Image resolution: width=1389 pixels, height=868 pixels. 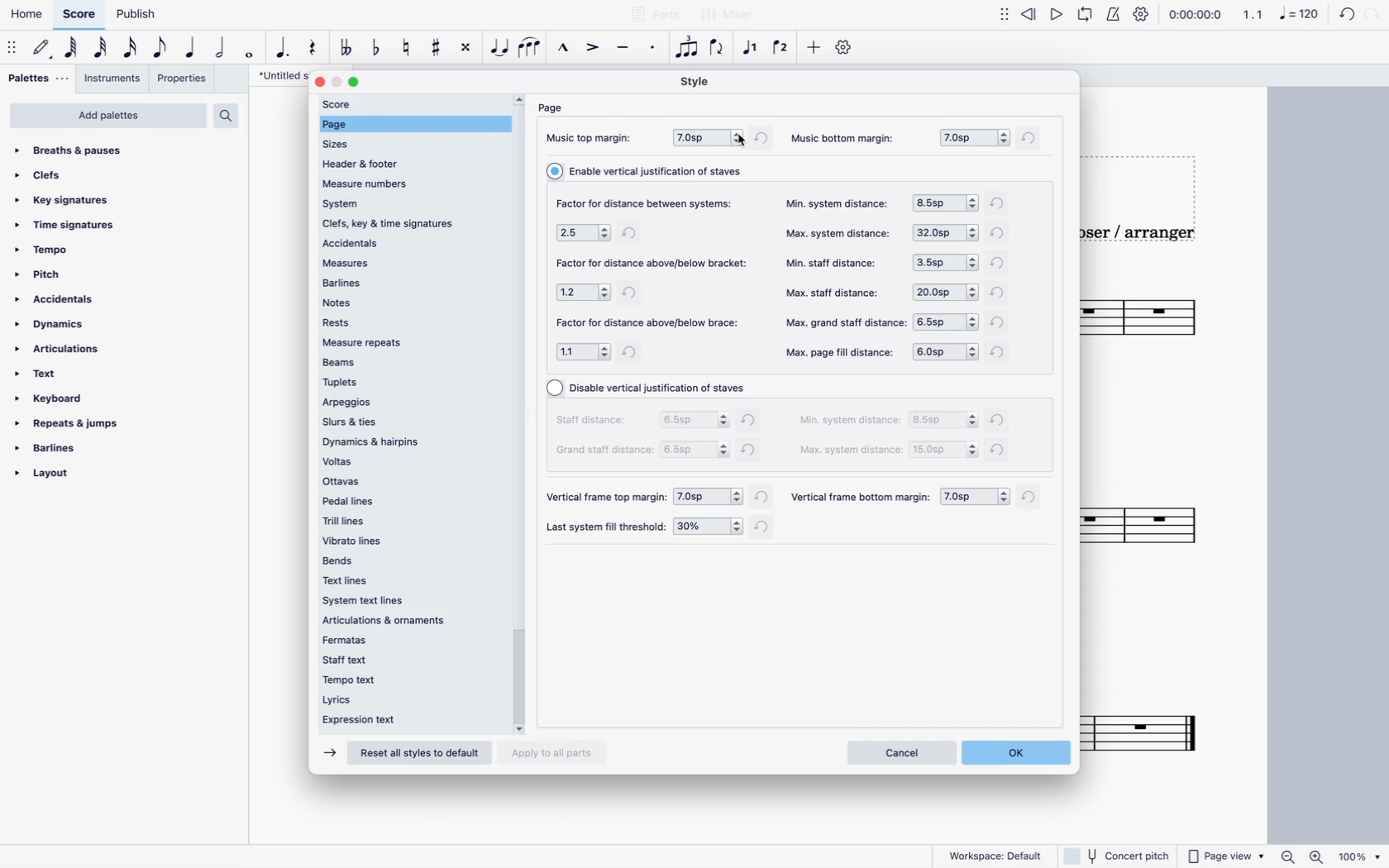 What do you see at coordinates (695, 420) in the screenshot?
I see `options` at bounding box center [695, 420].